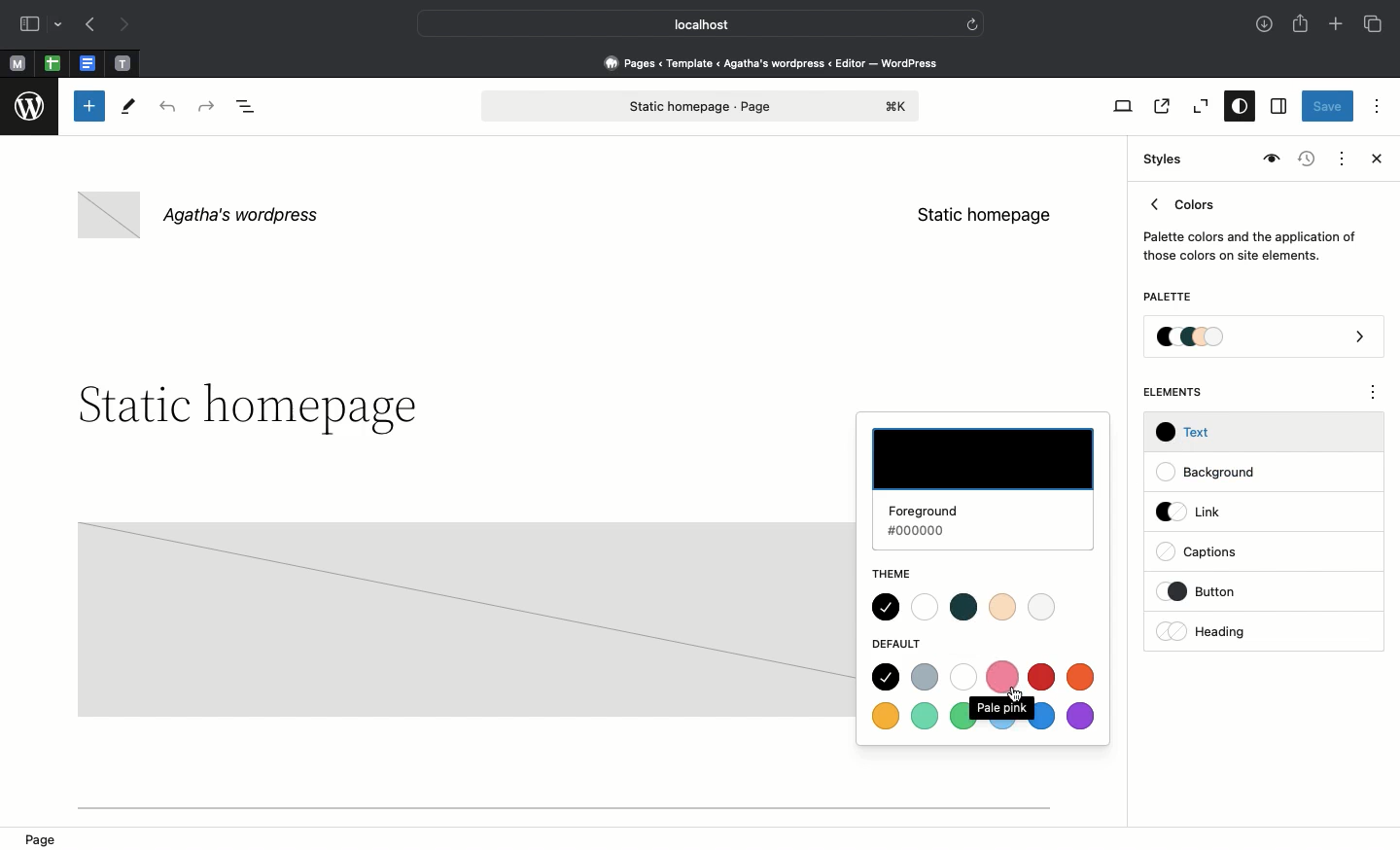 Image resolution: width=1400 pixels, height=850 pixels. I want to click on Background, so click(1215, 473).